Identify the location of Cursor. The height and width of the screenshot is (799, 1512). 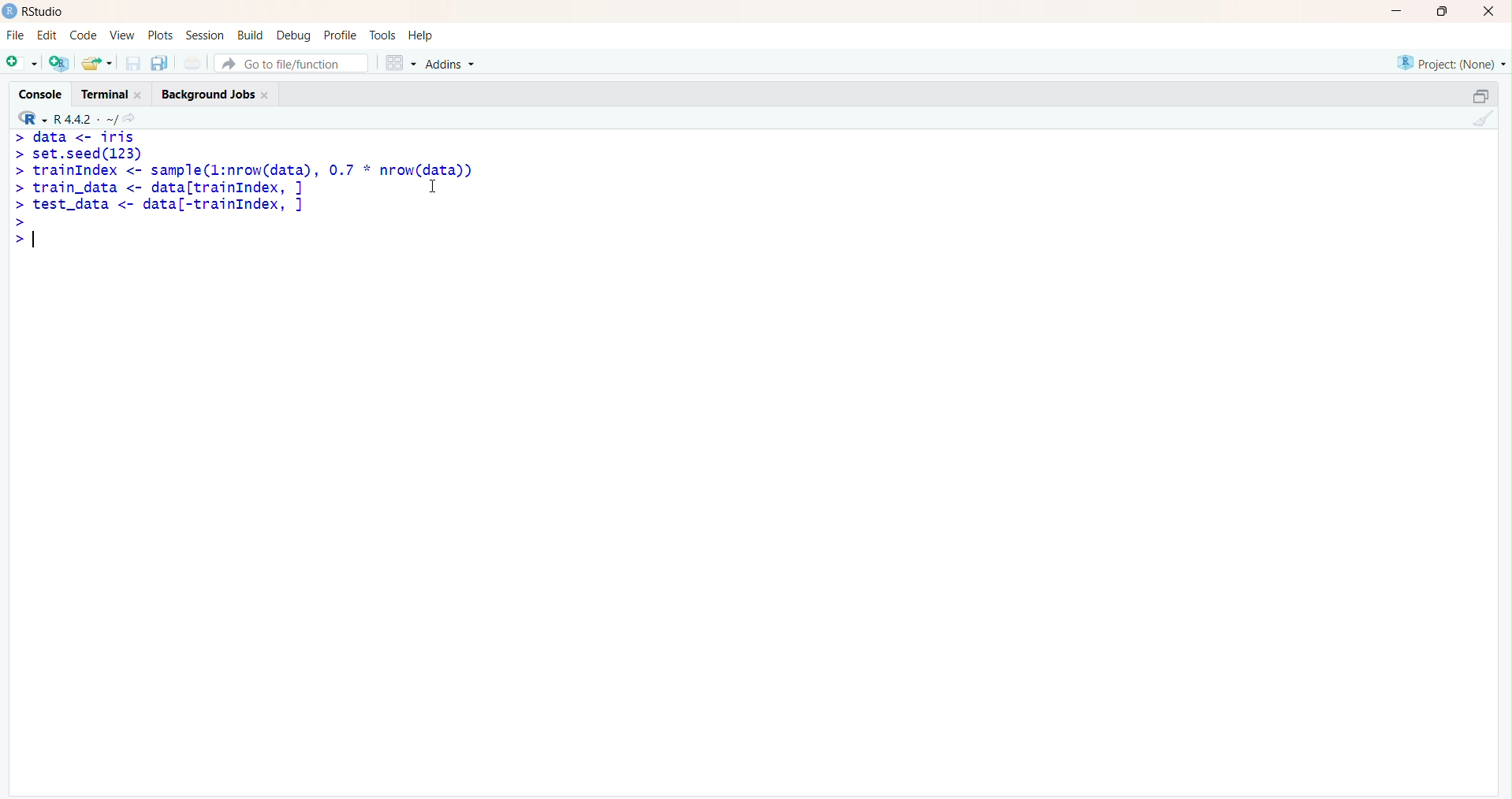
(440, 186).